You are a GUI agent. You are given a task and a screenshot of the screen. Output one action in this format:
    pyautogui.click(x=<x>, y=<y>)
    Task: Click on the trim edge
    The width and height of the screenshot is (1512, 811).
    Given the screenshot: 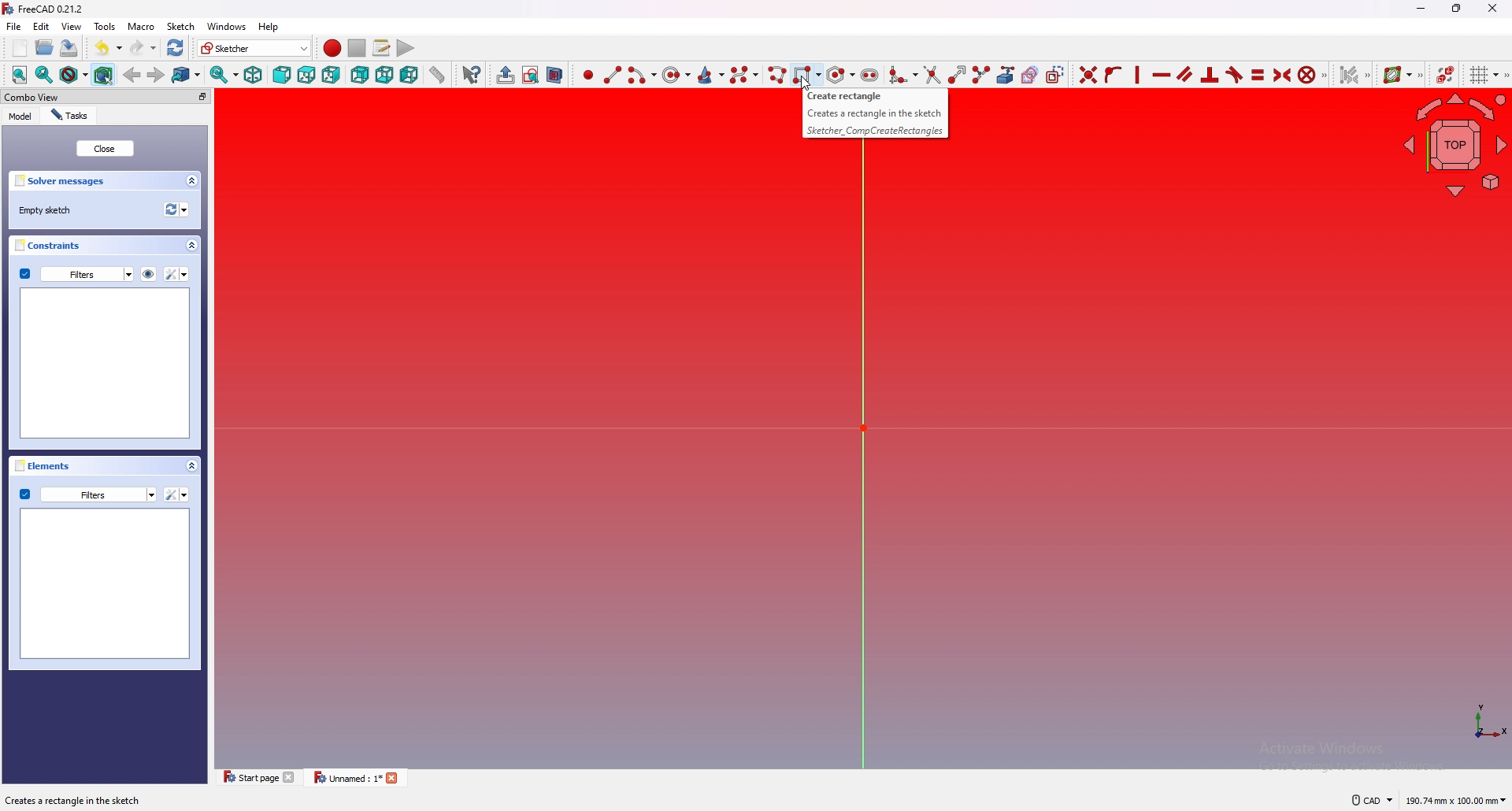 What is the action you would take?
    pyautogui.click(x=932, y=75)
    